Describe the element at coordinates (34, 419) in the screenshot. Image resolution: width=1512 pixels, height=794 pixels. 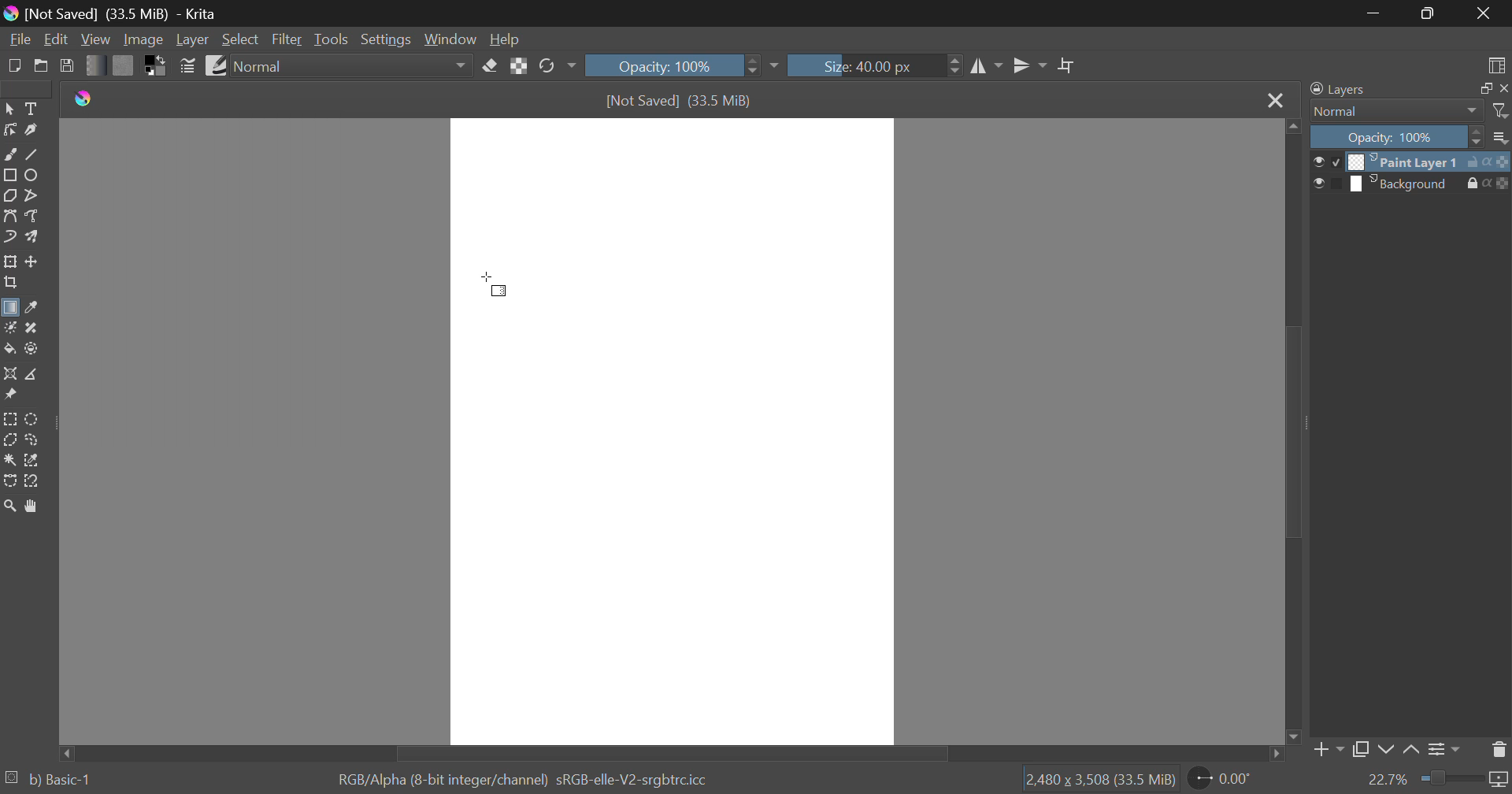
I see `Circular Selection` at that location.